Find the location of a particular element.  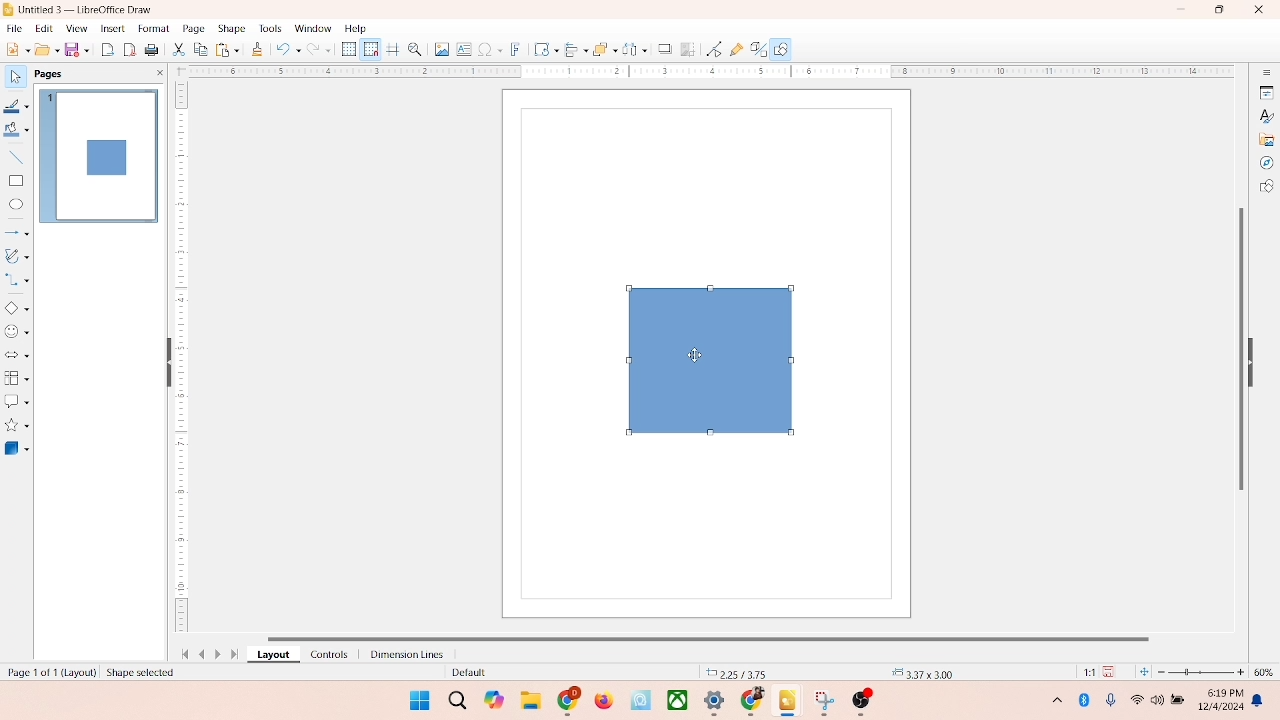

image is located at coordinates (439, 49).